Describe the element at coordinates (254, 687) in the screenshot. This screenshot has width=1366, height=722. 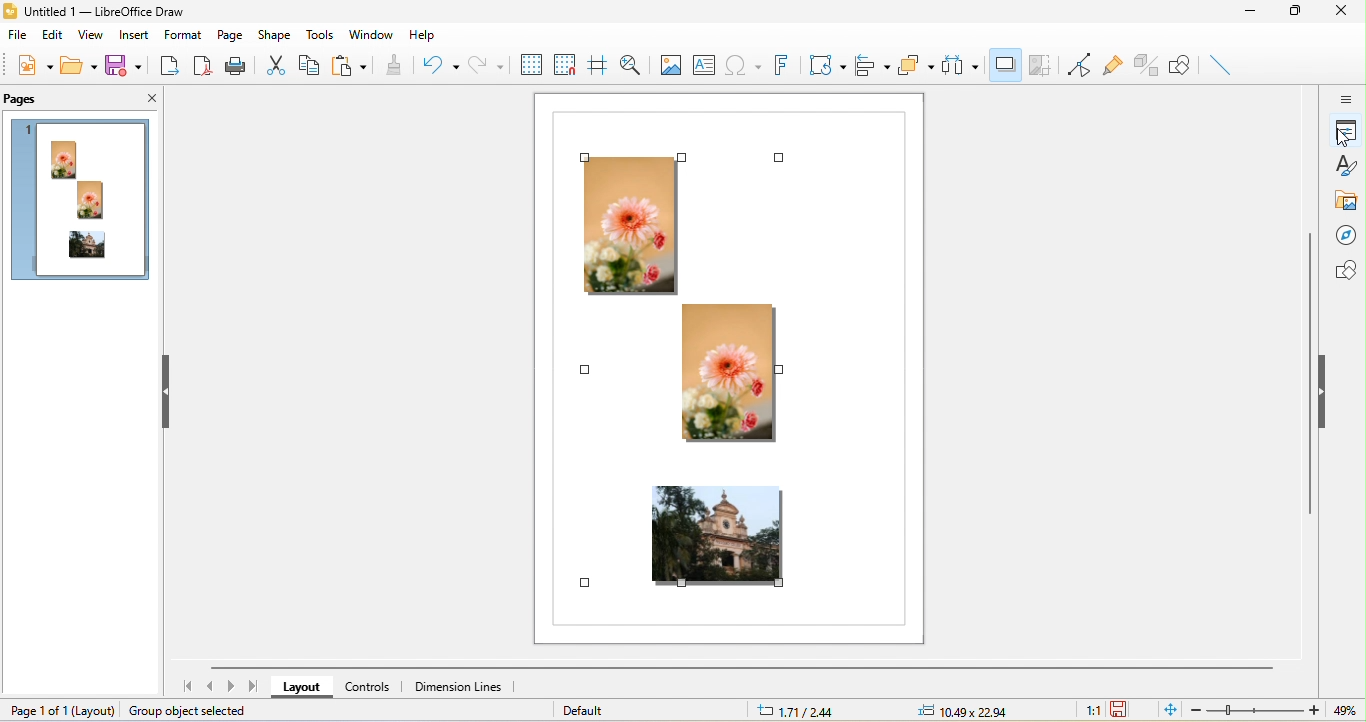
I see `last page` at that location.